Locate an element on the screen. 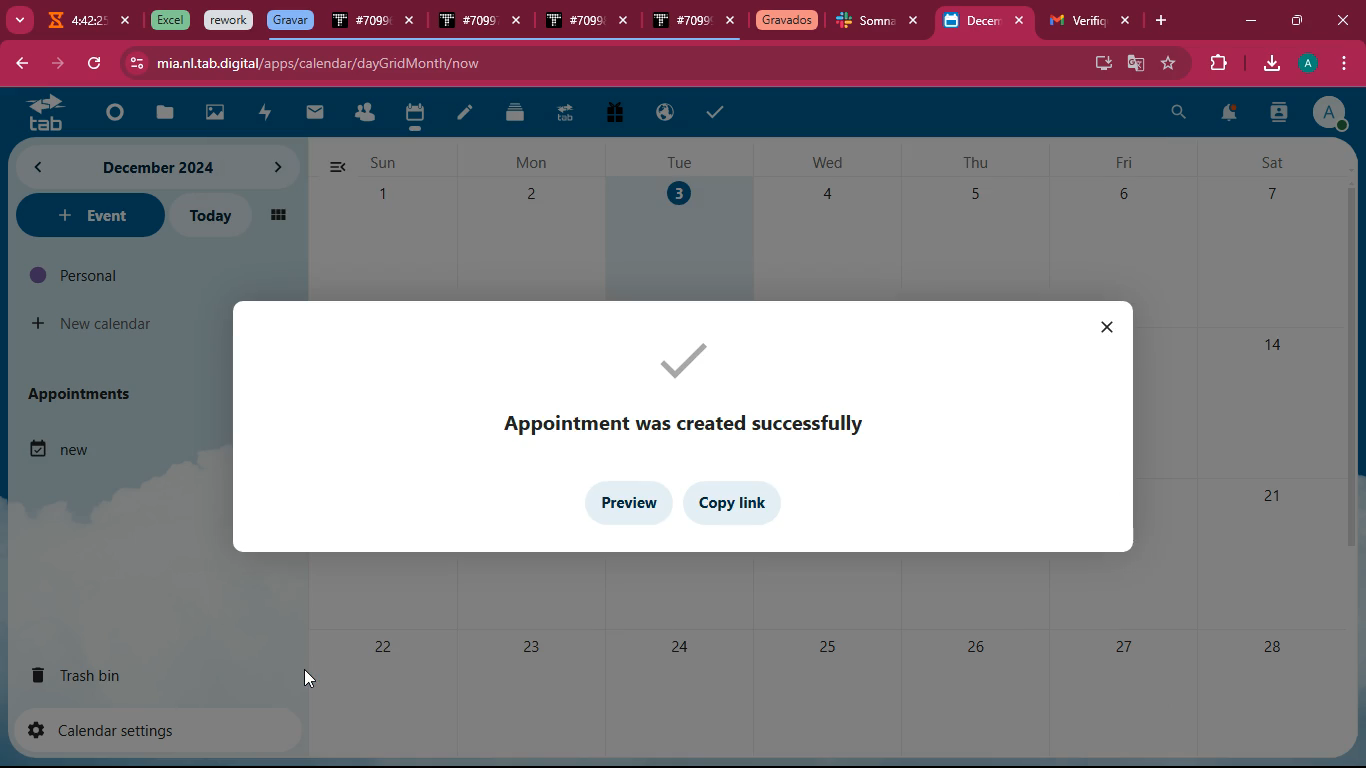 The image size is (1366, 768). mail is located at coordinates (315, 113).